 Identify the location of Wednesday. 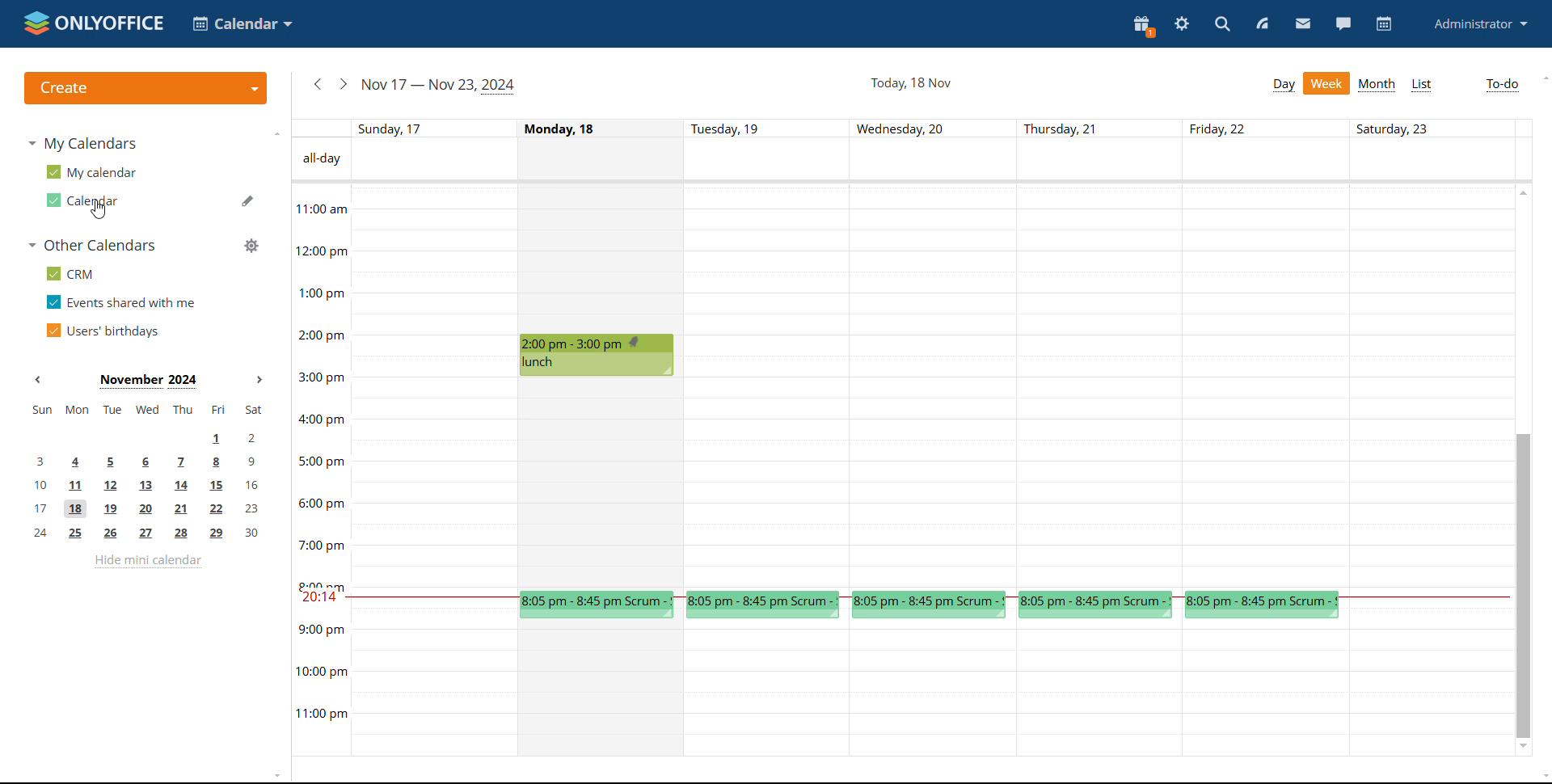
(936, 386).